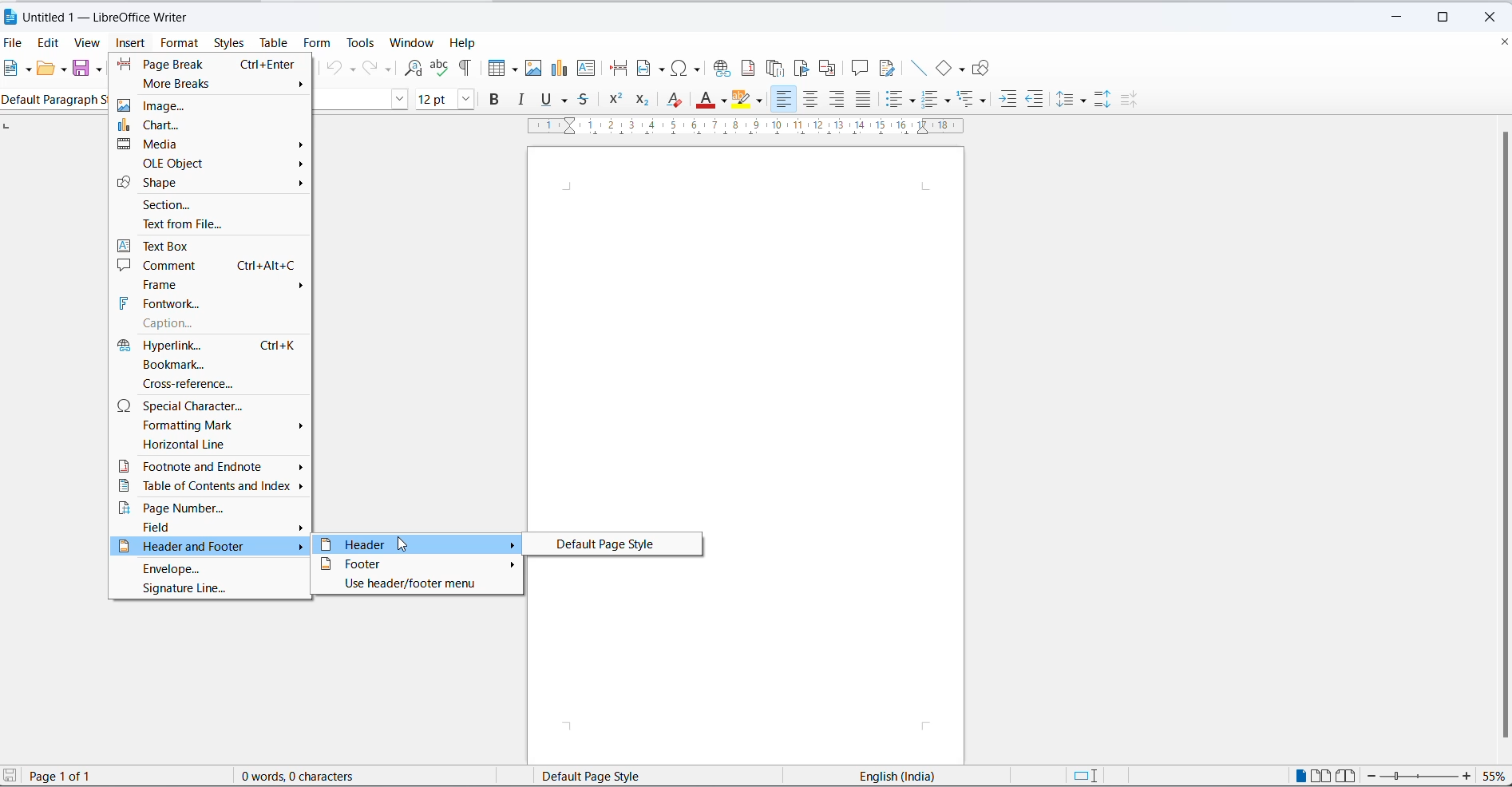 This screenshot has width=1512, height=787. Describe the element at coordinates (369, 69) in the screenshot. I see `redo` at that location.